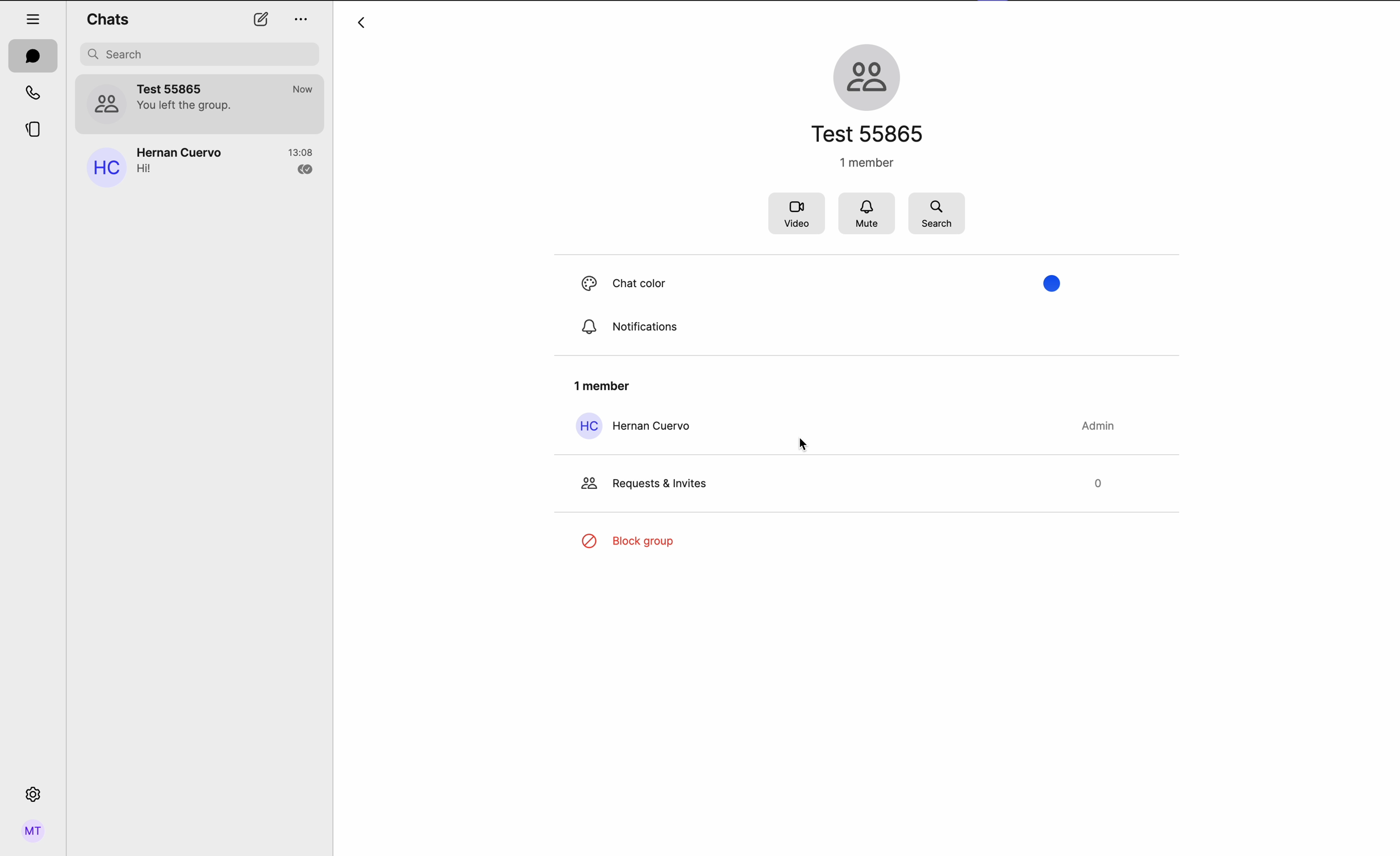 This screenshot has height=856, width=1400. What do you see at coordinates (794, 283) in the screenshot?
I see `disappearing messages off` at bounding box center [794, 283].